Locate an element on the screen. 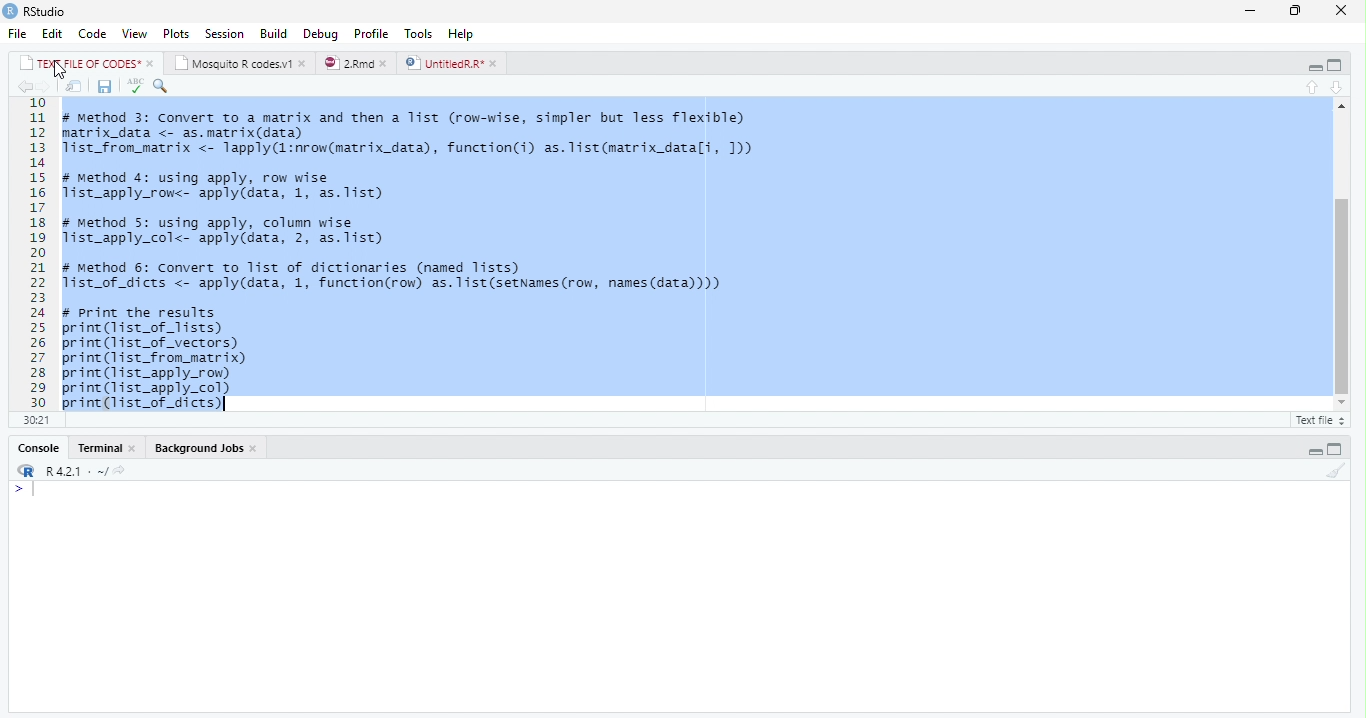 This screenshot has width=1366, height=718. File is located at coordinates (20, 33).